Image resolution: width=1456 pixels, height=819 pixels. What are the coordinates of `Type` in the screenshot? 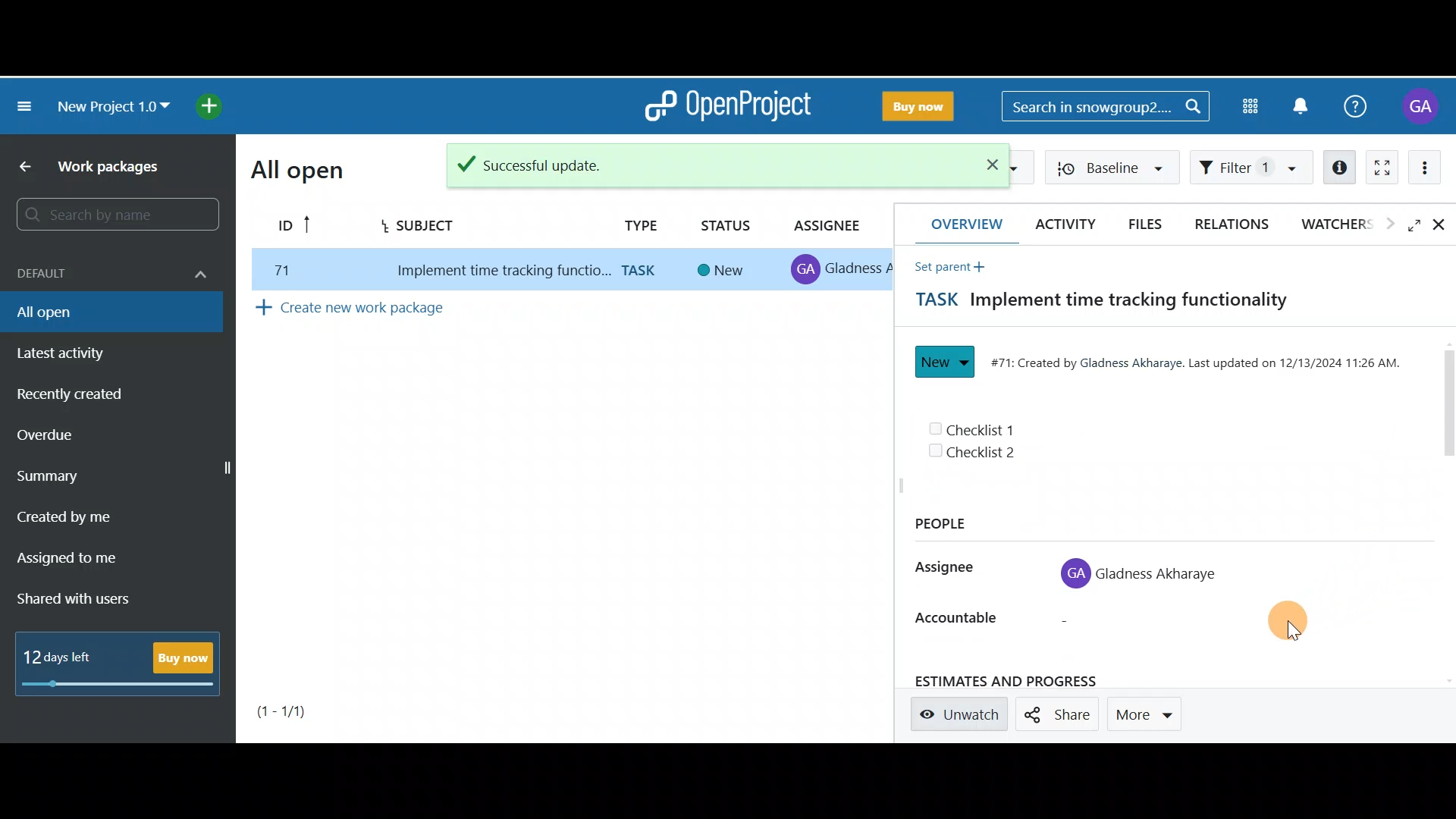 It's located at (638, 224).